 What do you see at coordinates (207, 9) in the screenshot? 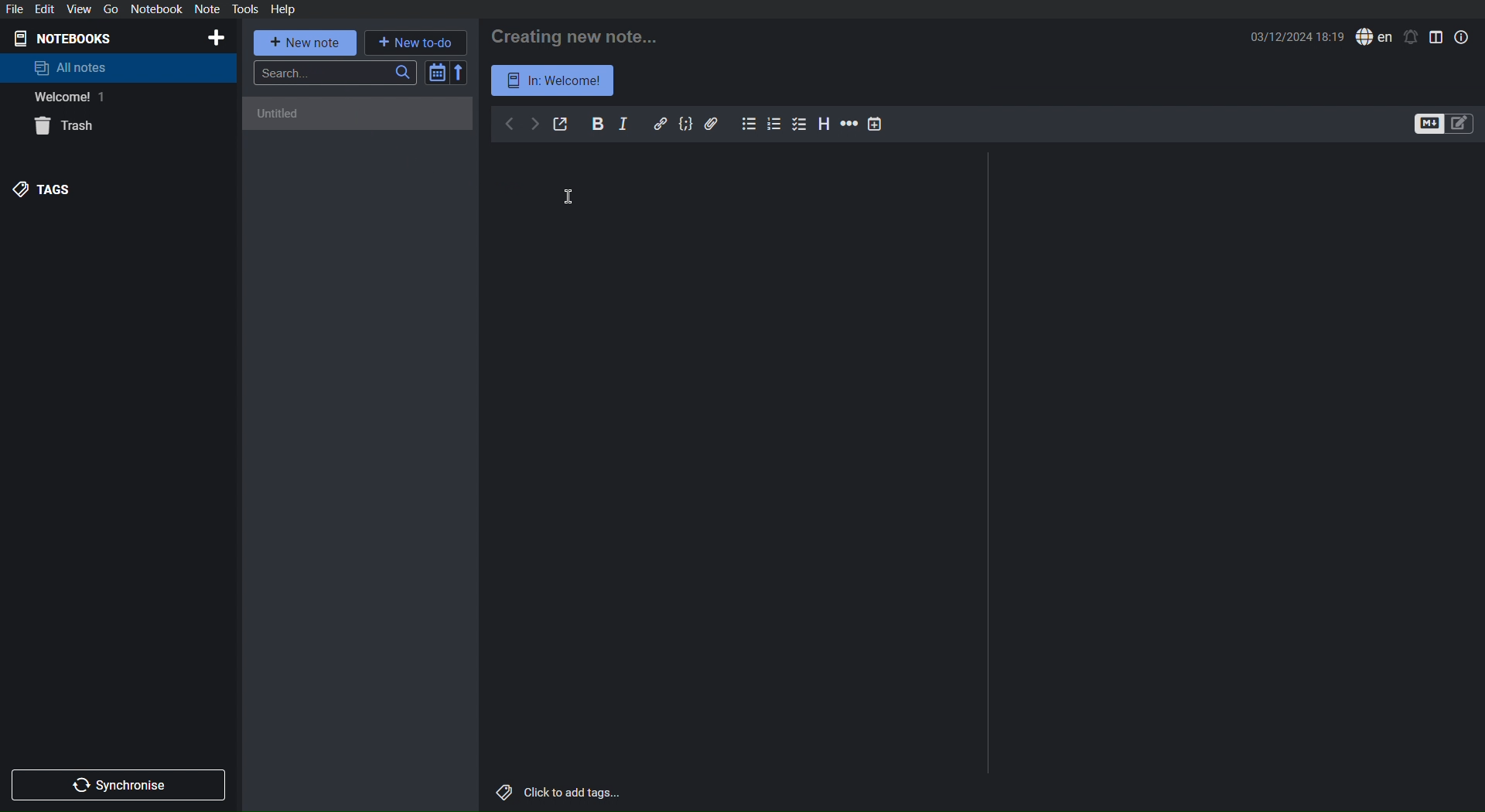
I see `Note` at bounding box center [207, 9].